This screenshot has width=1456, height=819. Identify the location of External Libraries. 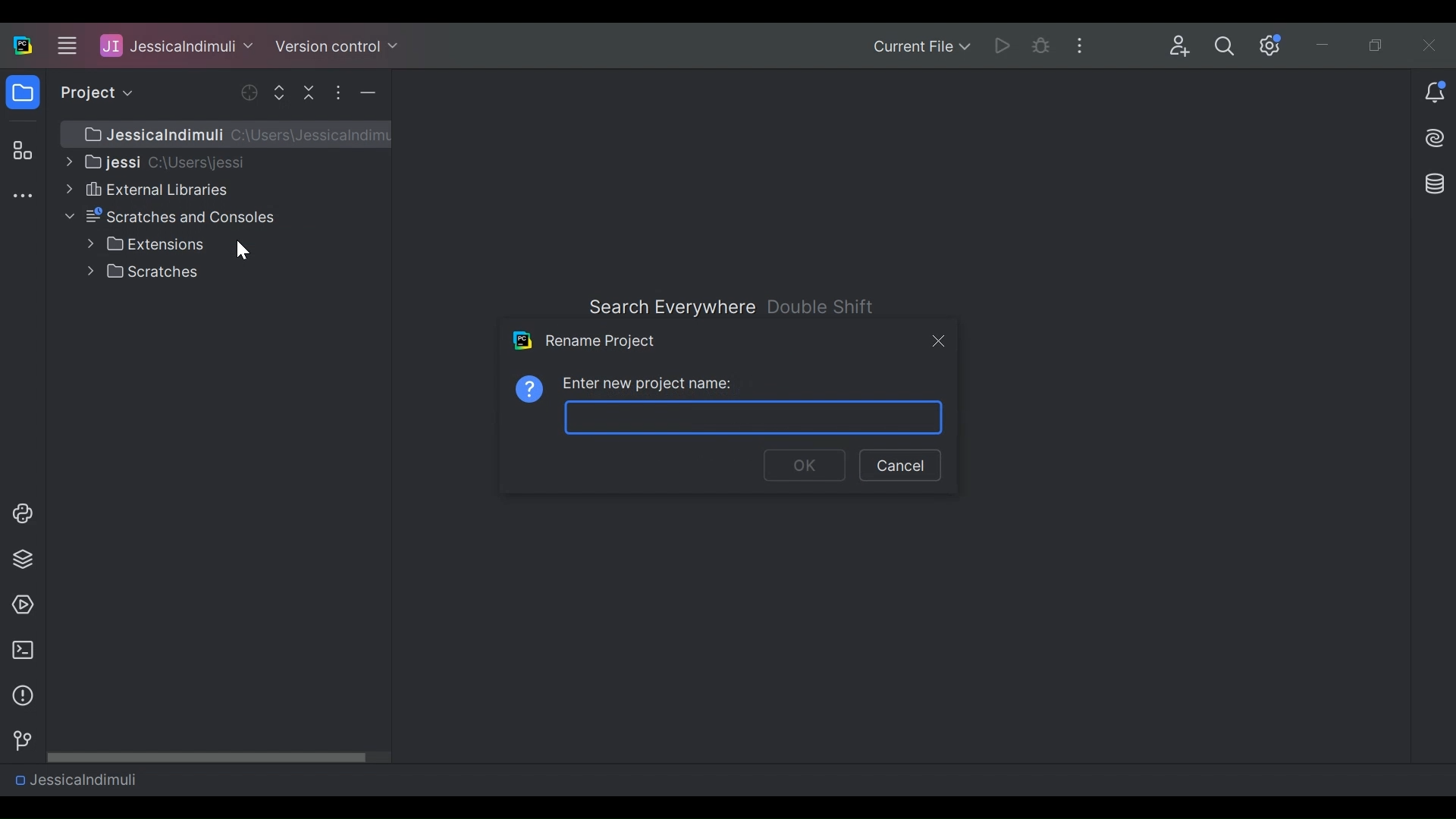
(145, 189).